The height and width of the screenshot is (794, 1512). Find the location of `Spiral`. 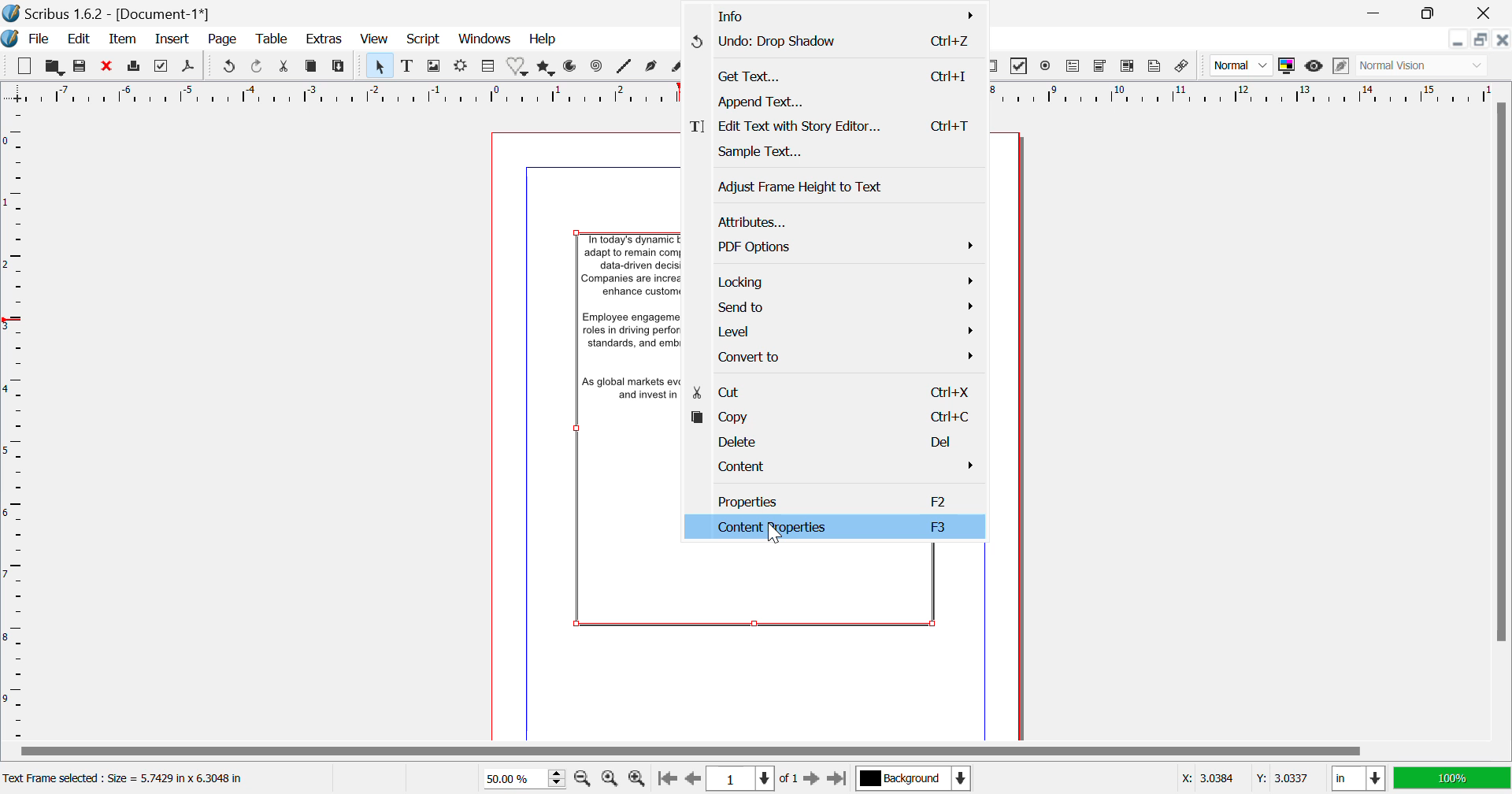

Spiral is located at coordinates (595, 66).